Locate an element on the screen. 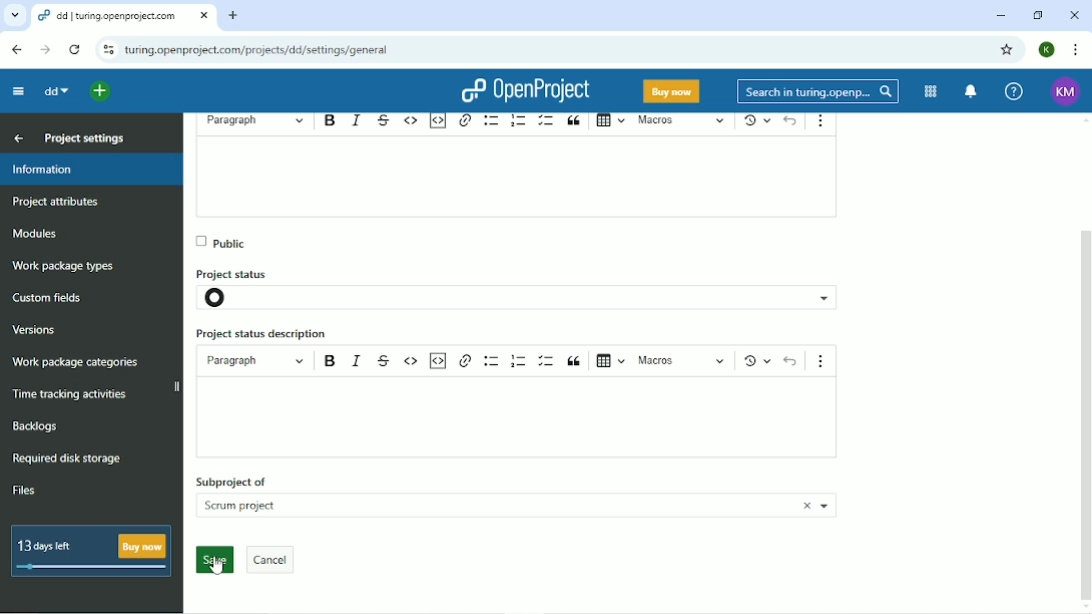 This screenshot has height=614, width=1092. more projects is located at coordinates (824, 511).